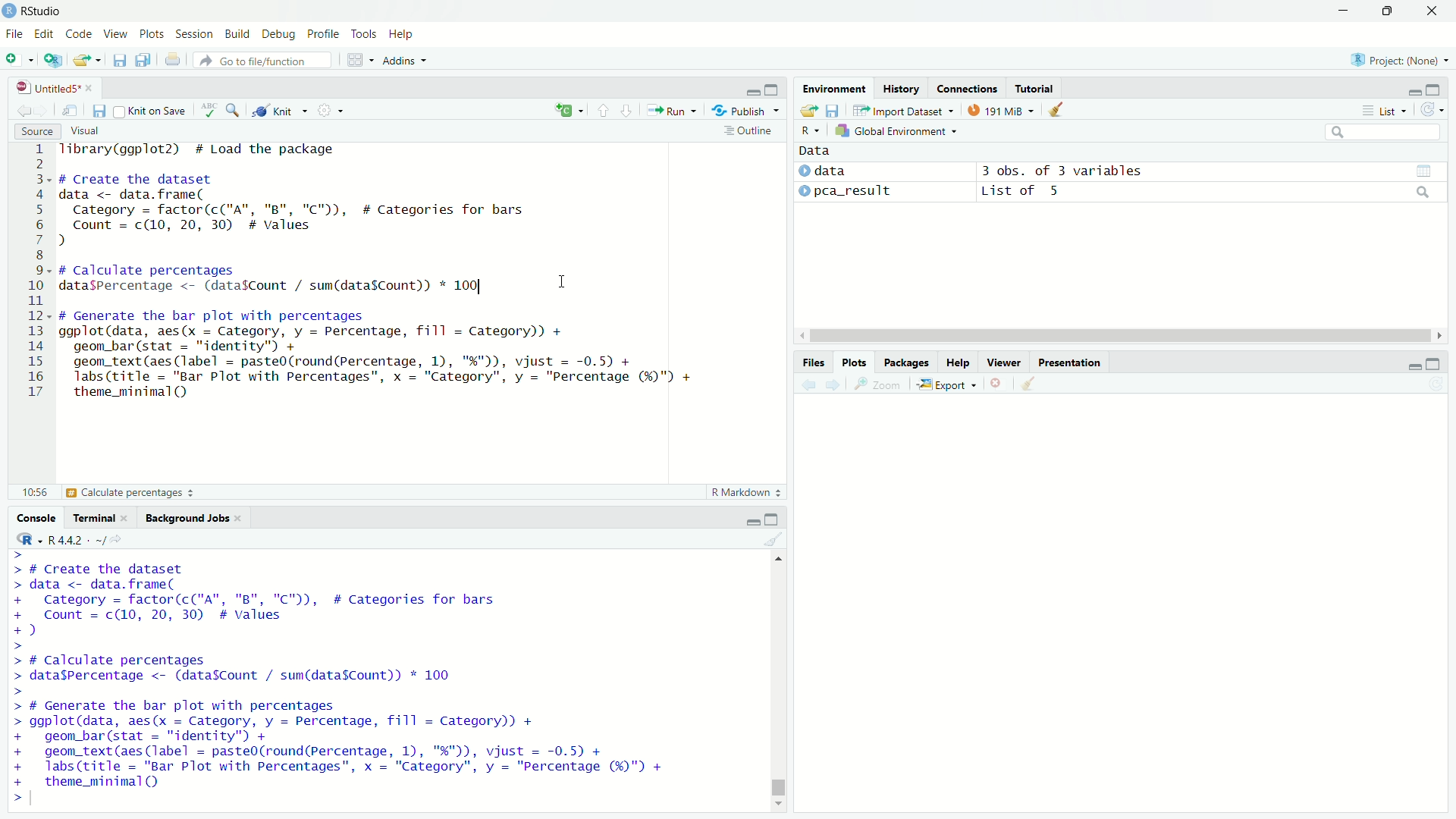 Image resolution: width=1456 pixels, height=819 pixels. Describe the element at coordinates (1003, 362) in the screenshot. I see `viewer` at that location.